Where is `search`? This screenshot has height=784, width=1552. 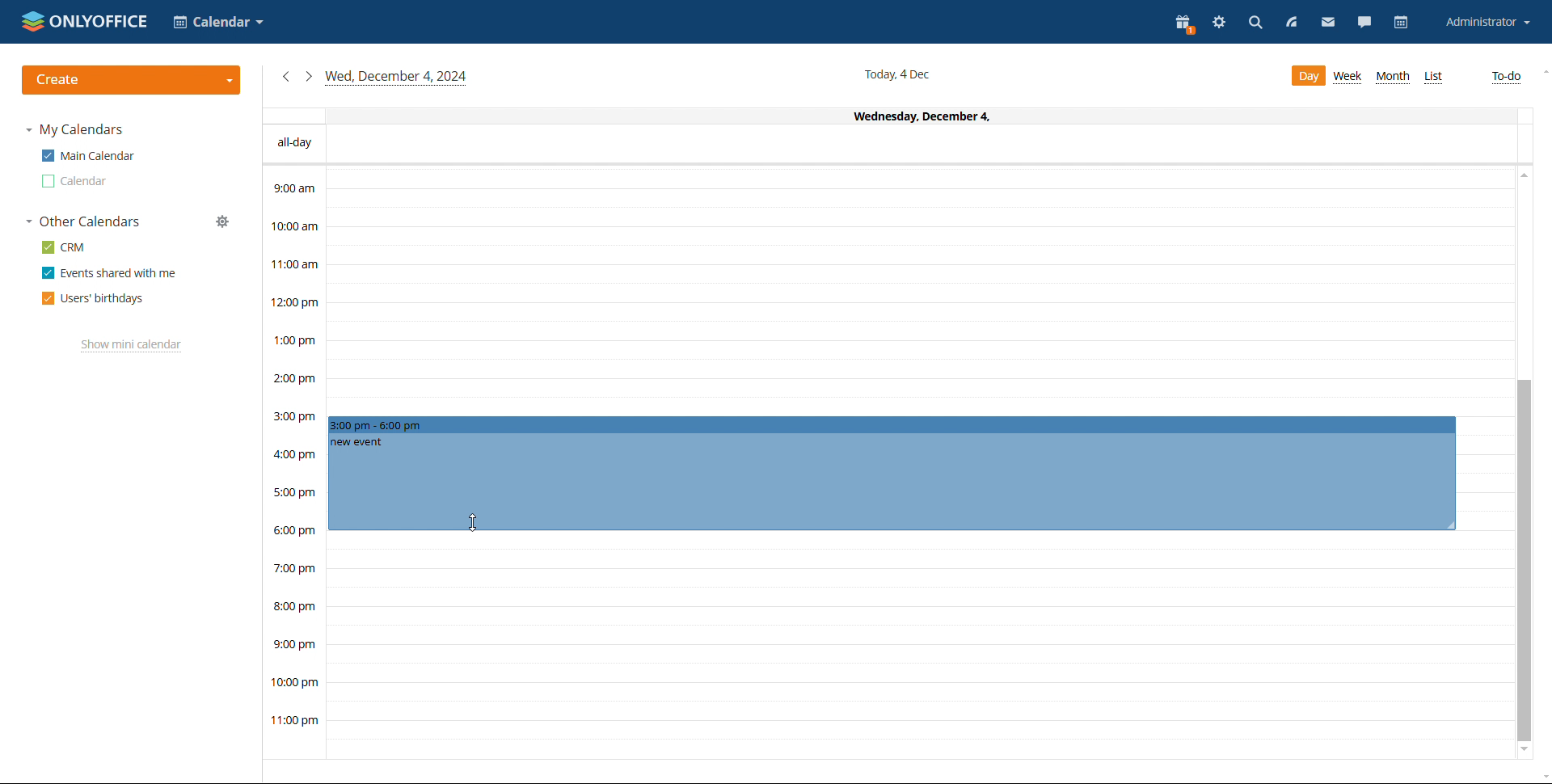 search is located at coordinates (1255, 25).